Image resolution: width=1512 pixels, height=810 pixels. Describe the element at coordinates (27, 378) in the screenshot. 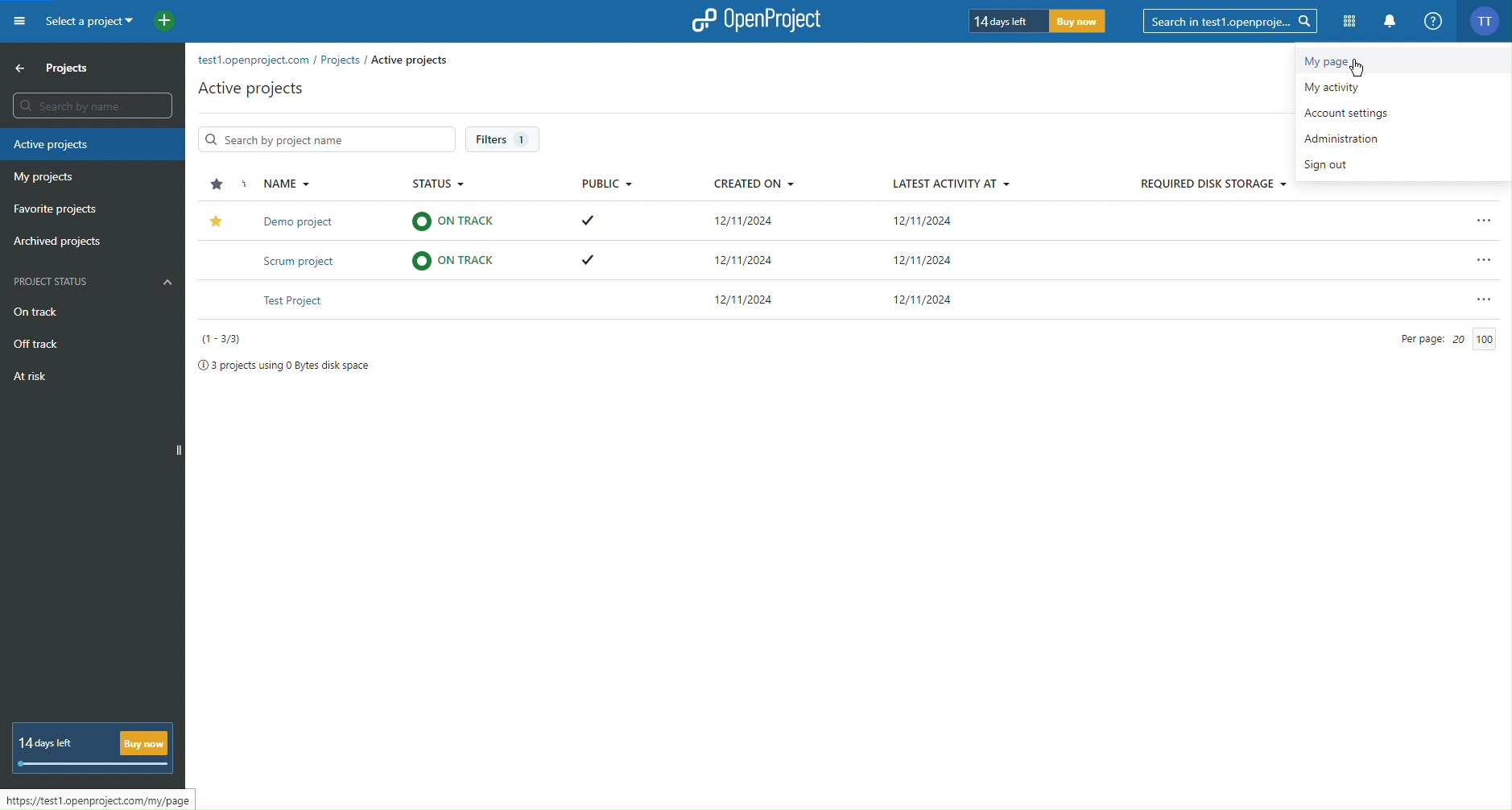

I see `At risk` at that location.